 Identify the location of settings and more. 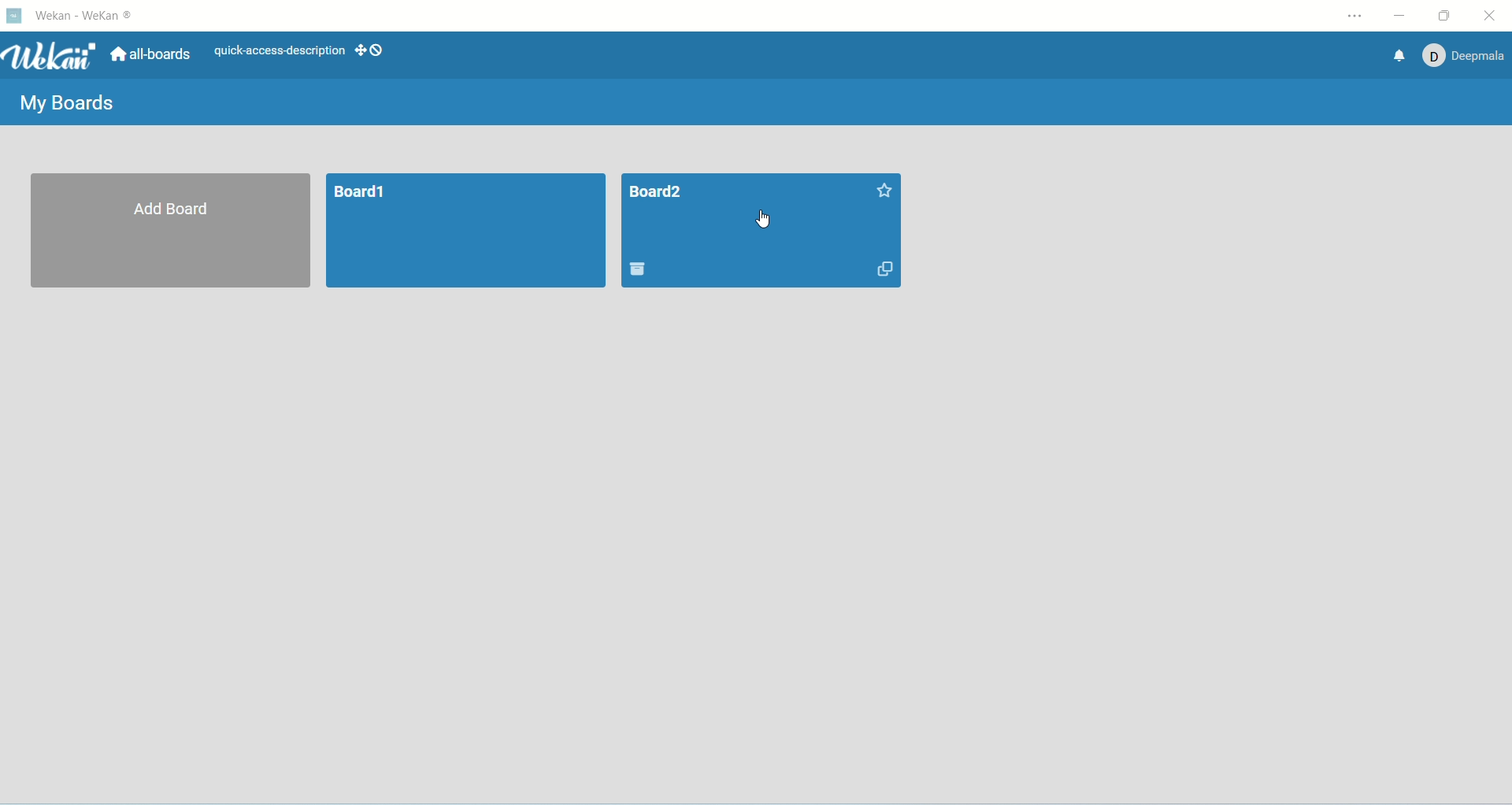
(1355, 15).